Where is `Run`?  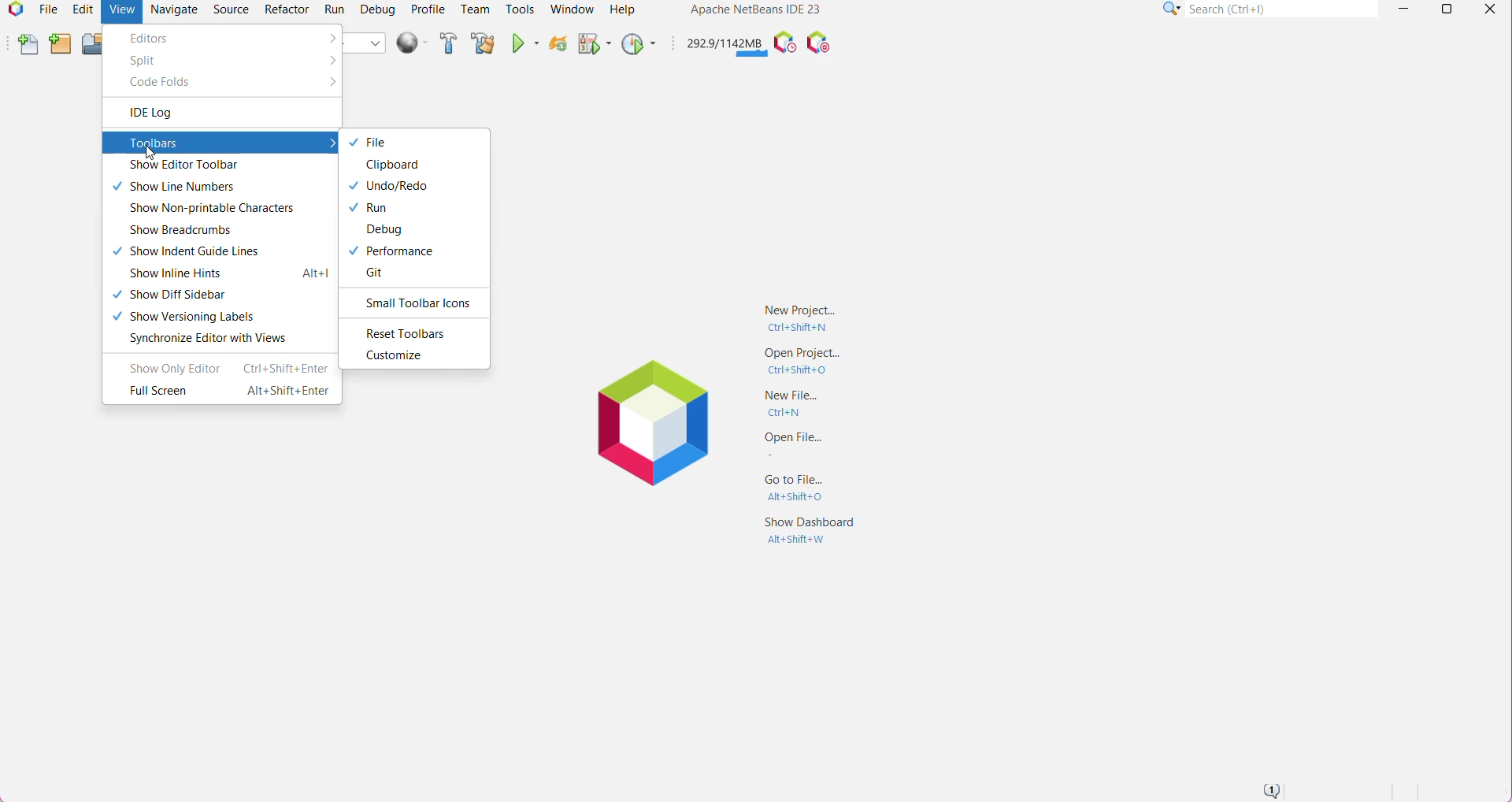
Run is located at coordinates (335, 9).